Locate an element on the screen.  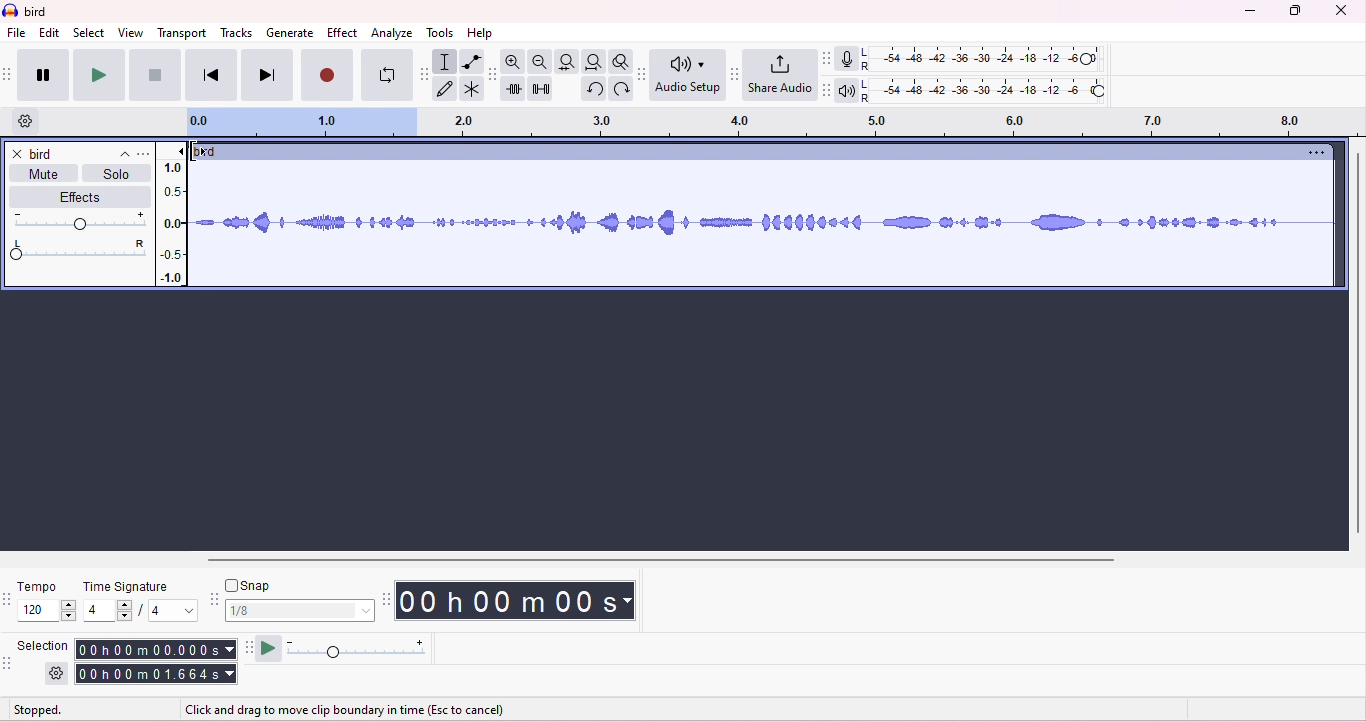
next is located at coordinates (265, 76).